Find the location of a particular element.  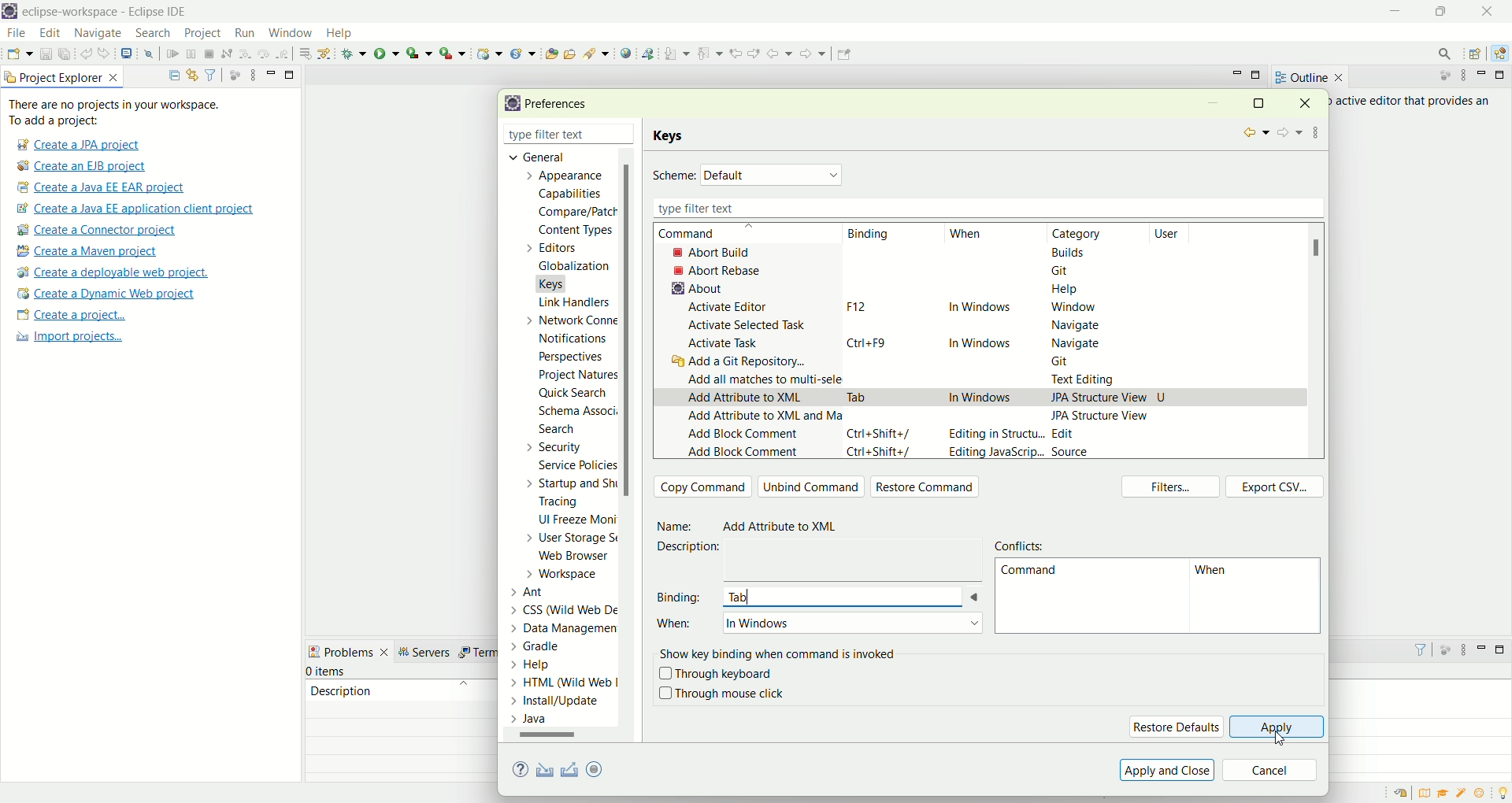

navigate is located at coordinates (1072, 326).